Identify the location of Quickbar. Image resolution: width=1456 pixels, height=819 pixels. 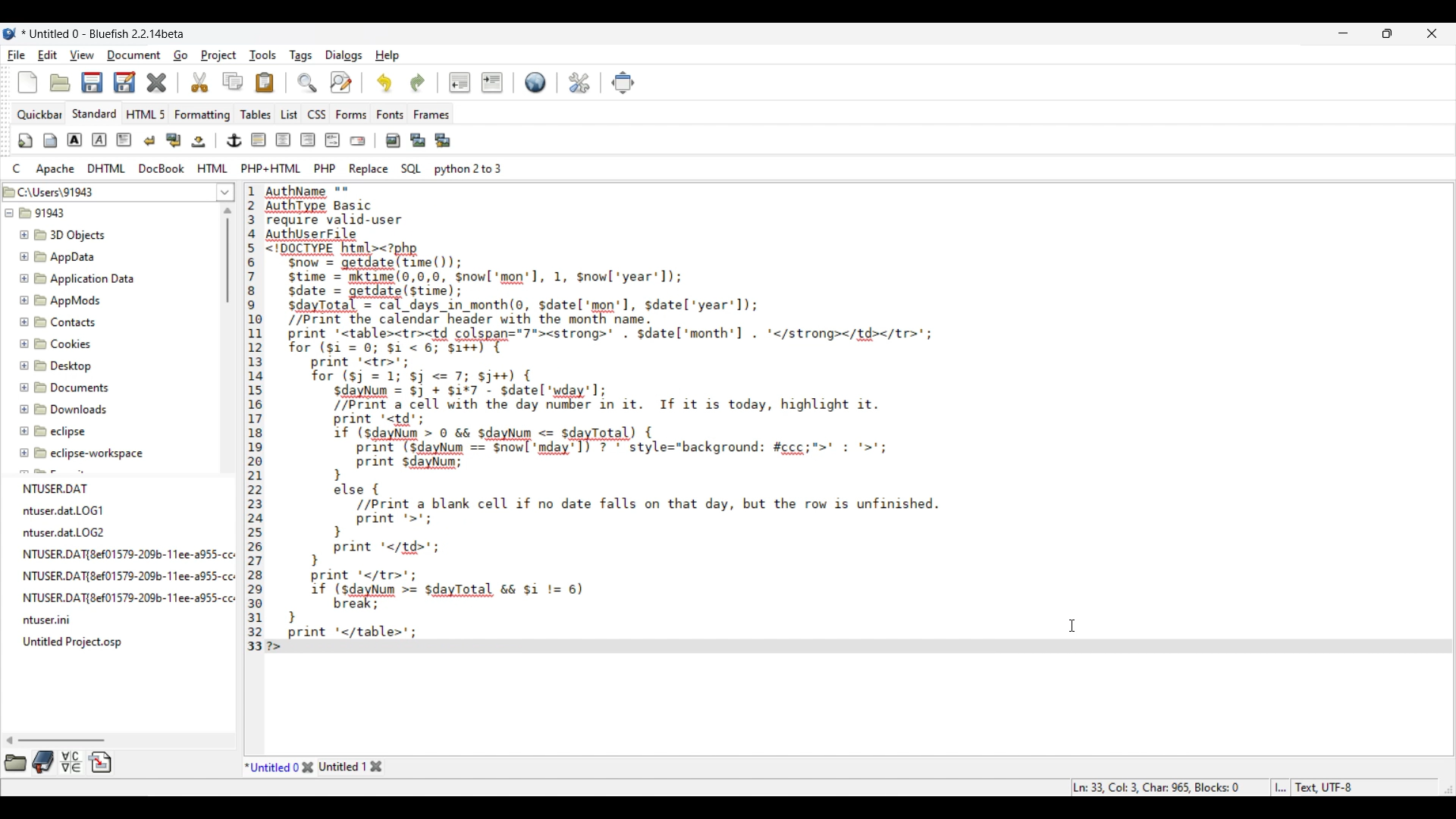
(39, 115).